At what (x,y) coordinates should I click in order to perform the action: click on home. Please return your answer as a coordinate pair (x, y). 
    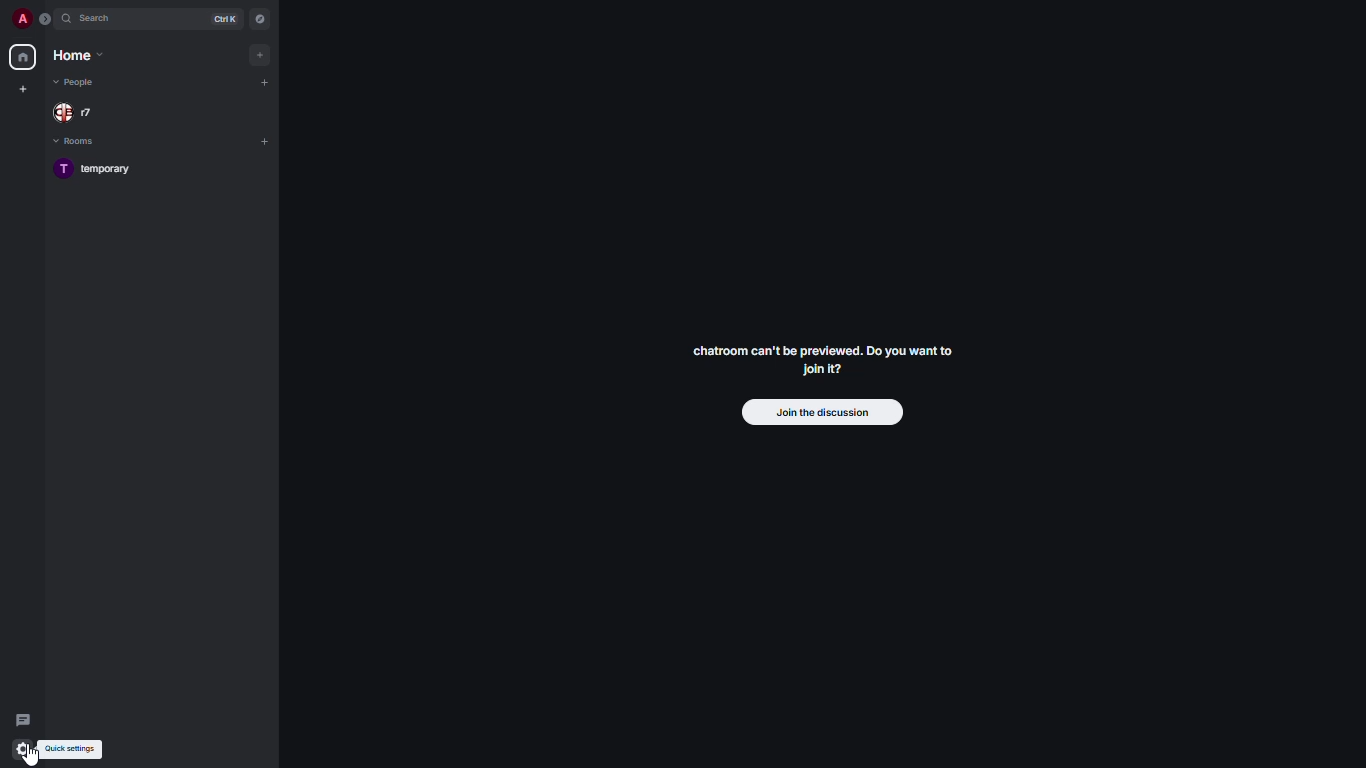
    Looking at the image, I should click on (24, 56).